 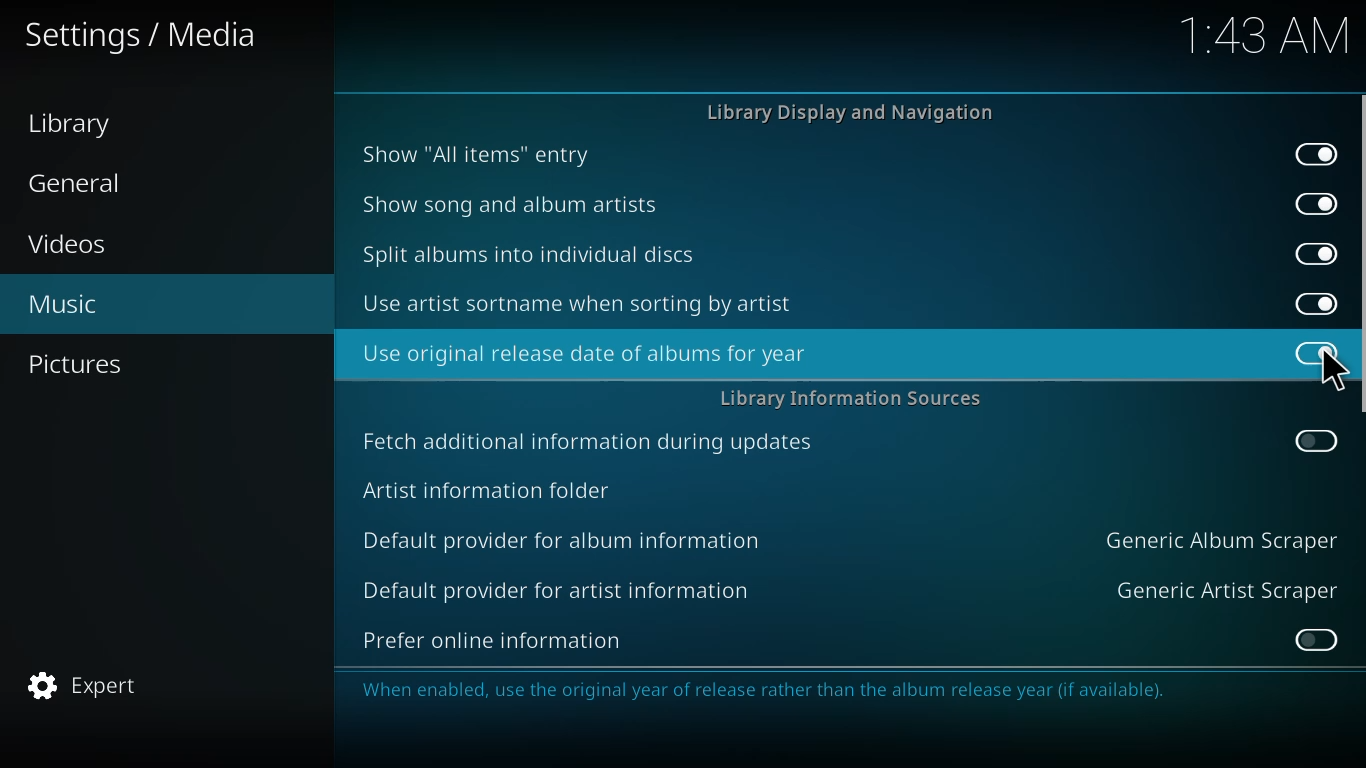 What do you see at coordinates (1332, 371) in the screenshot?
I see `cursor` at bounding box center [1332, 371].